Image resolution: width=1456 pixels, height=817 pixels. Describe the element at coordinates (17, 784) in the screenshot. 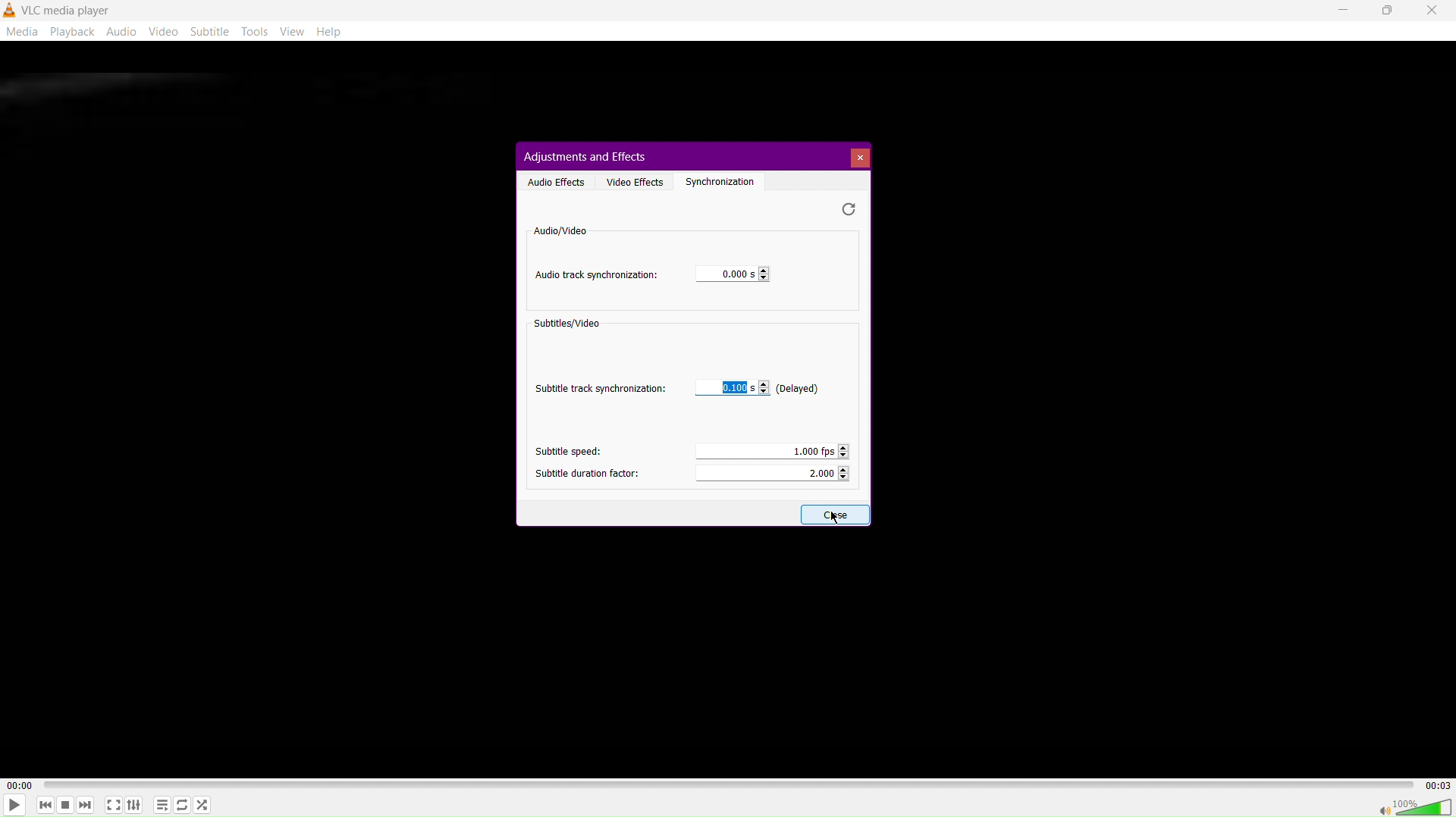

I see `Elapsed time` at that location.